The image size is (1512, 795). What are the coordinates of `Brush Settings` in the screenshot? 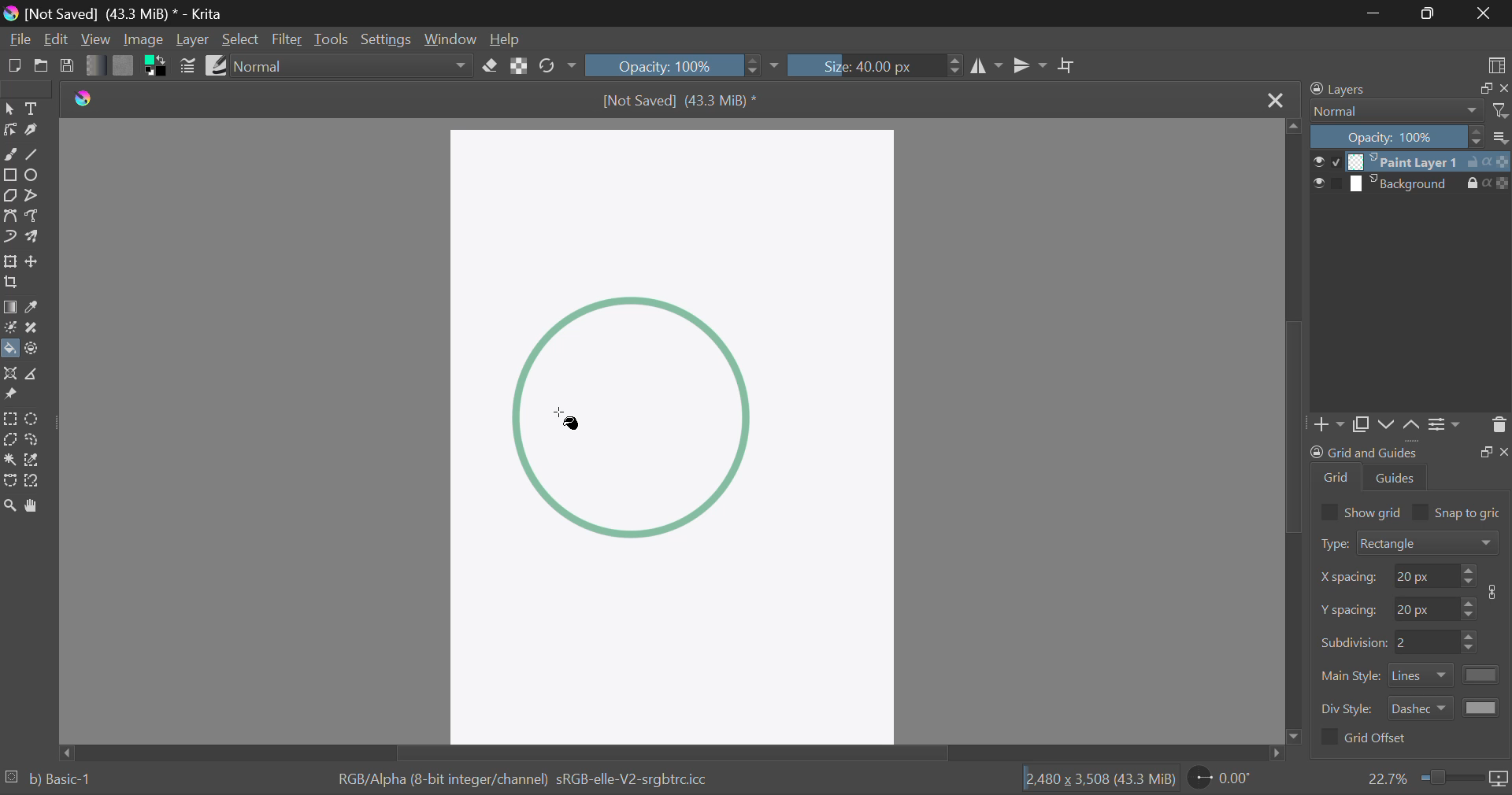 It's located at (187, 66).